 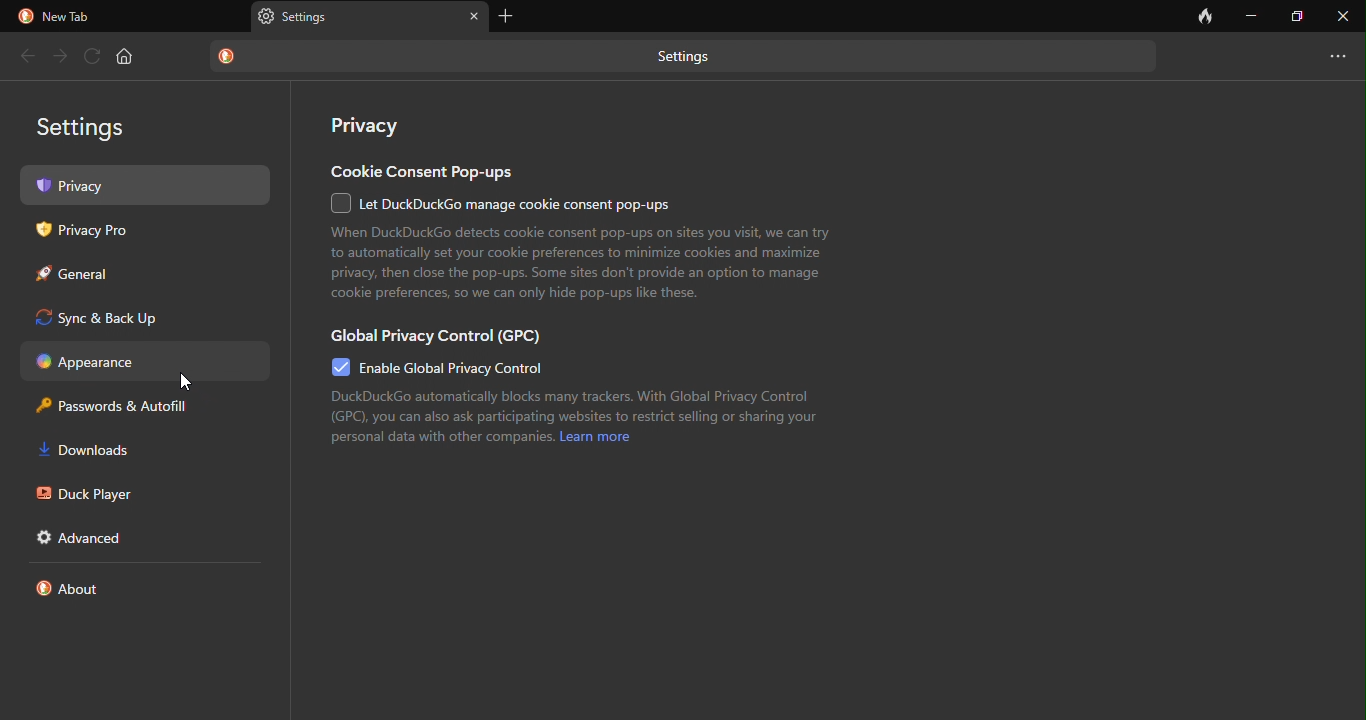 I want to click on forward, so click(x=58, y=53).